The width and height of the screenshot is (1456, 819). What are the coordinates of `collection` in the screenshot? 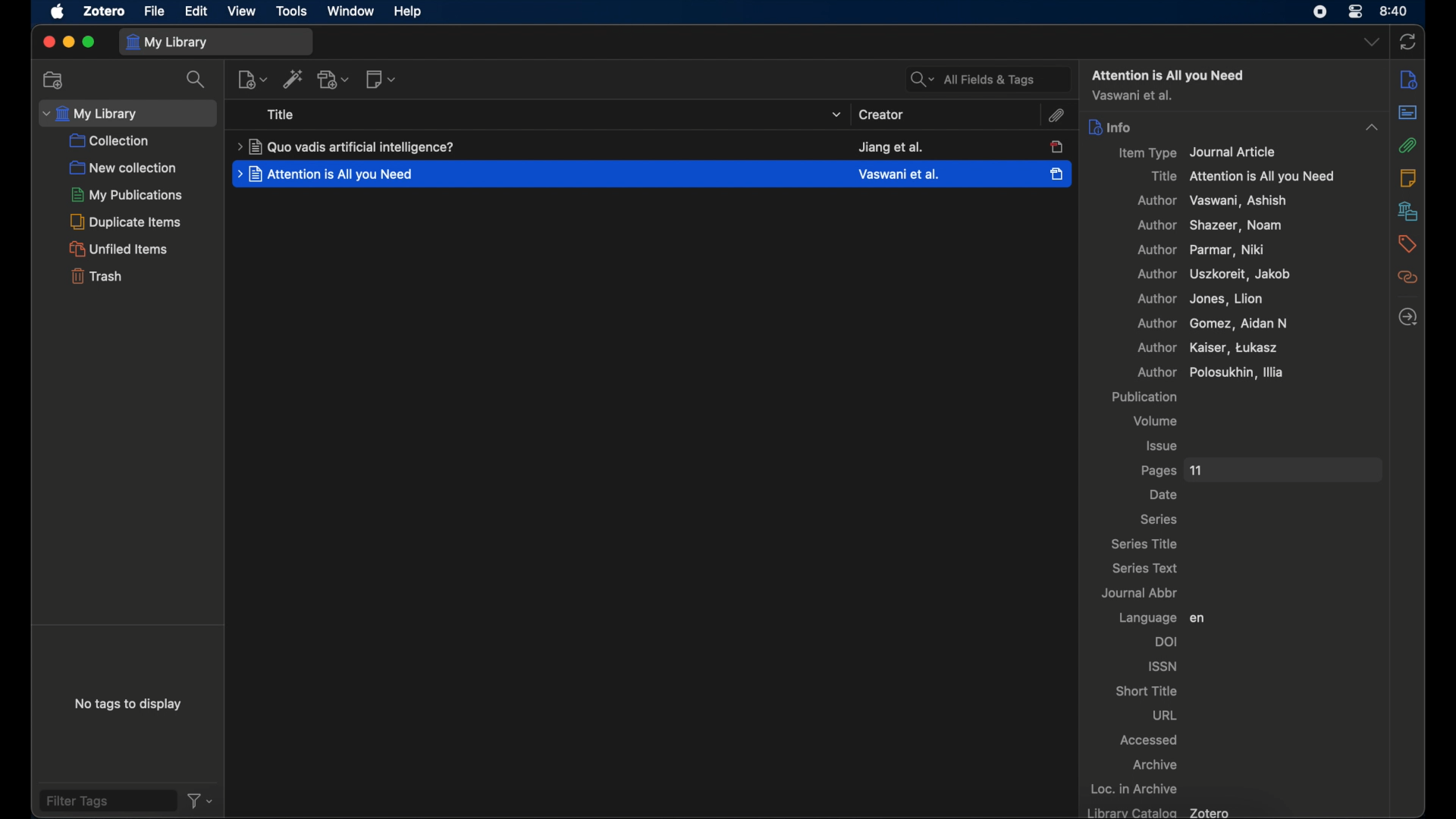 It's located at (111, 141).